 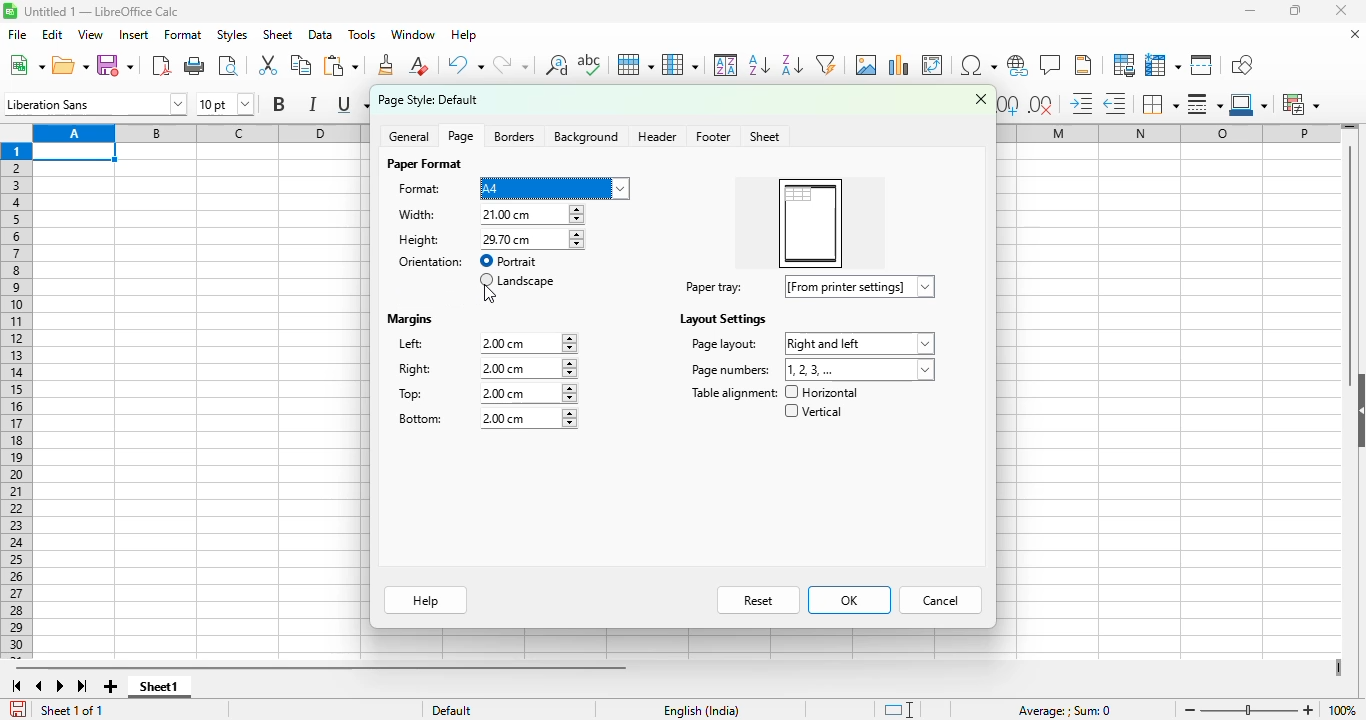 What do you see at coordinates (1250, 10) in the screenshot?
I see `minimize` at bounding box center [1250, 10].